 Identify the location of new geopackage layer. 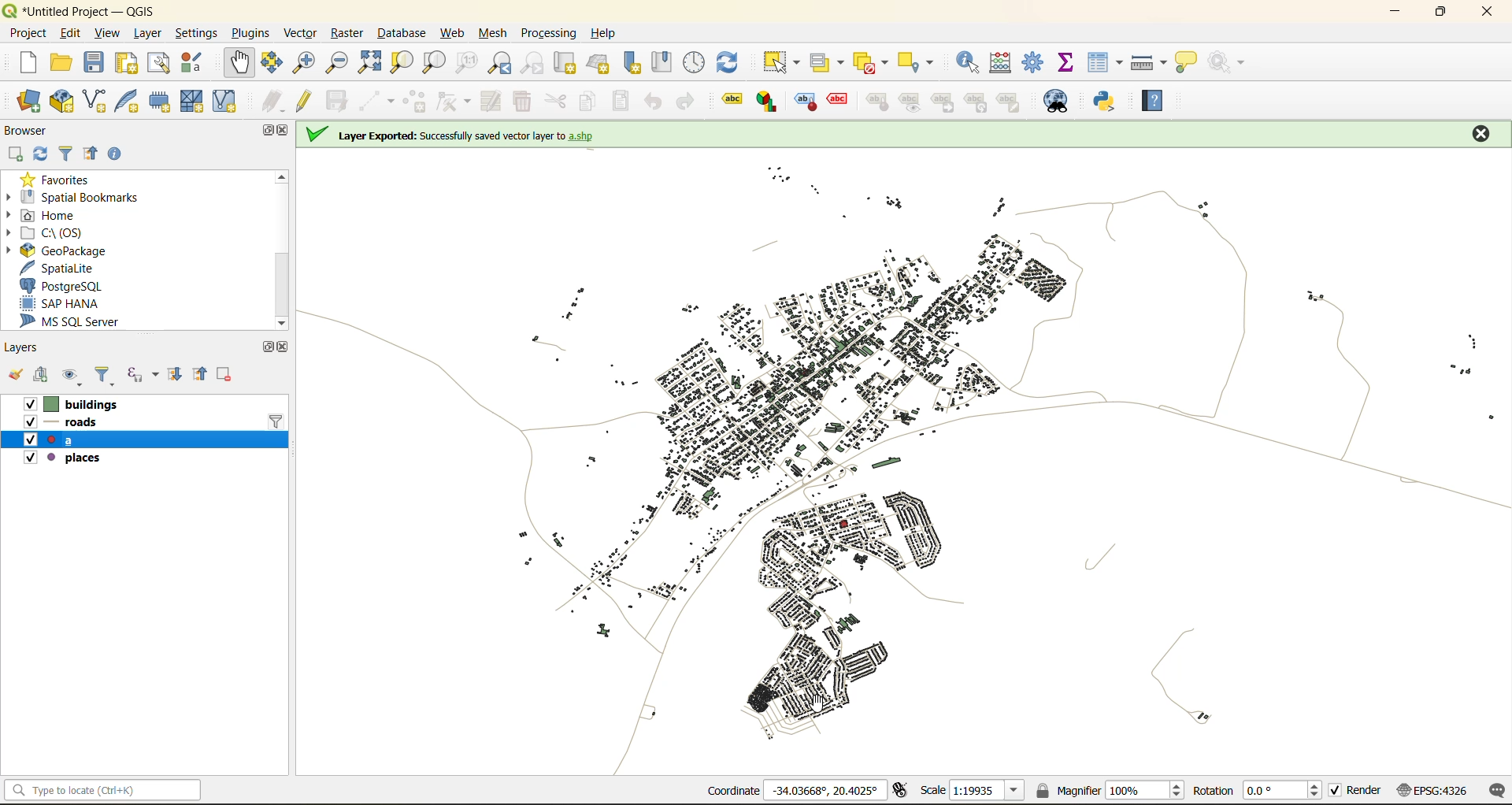
(61, 102).